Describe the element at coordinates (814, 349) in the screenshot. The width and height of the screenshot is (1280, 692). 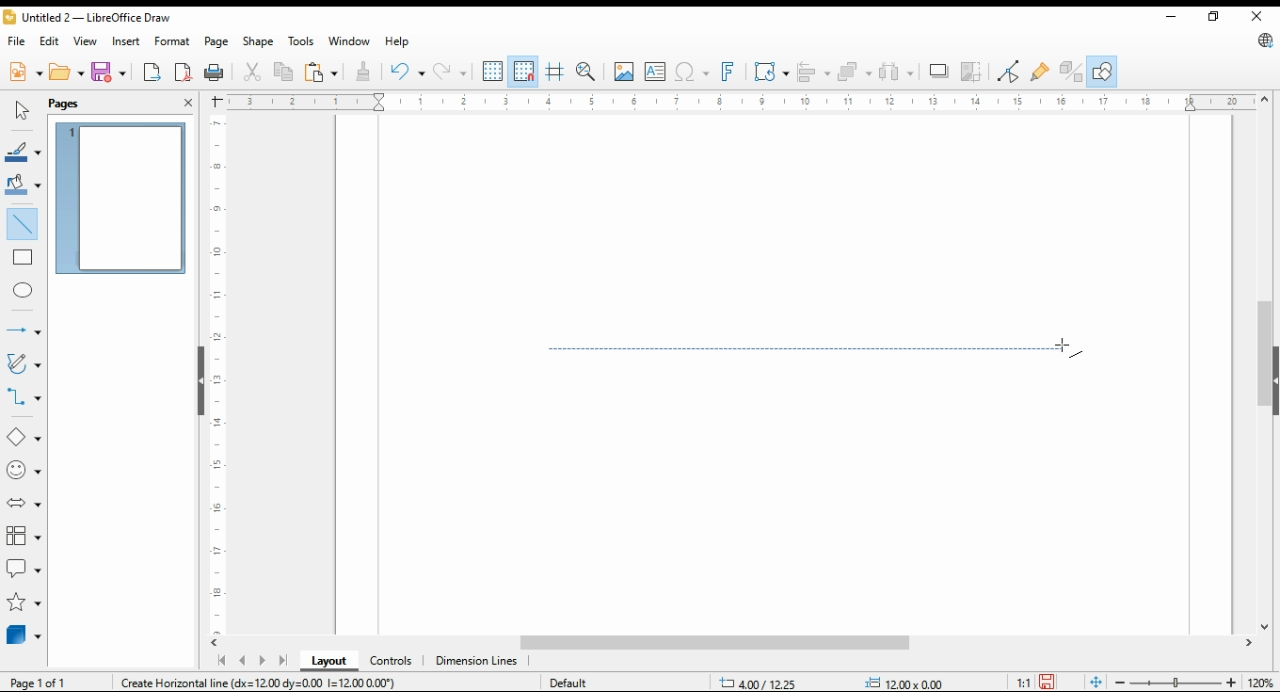
I see `dashed line` at that location.